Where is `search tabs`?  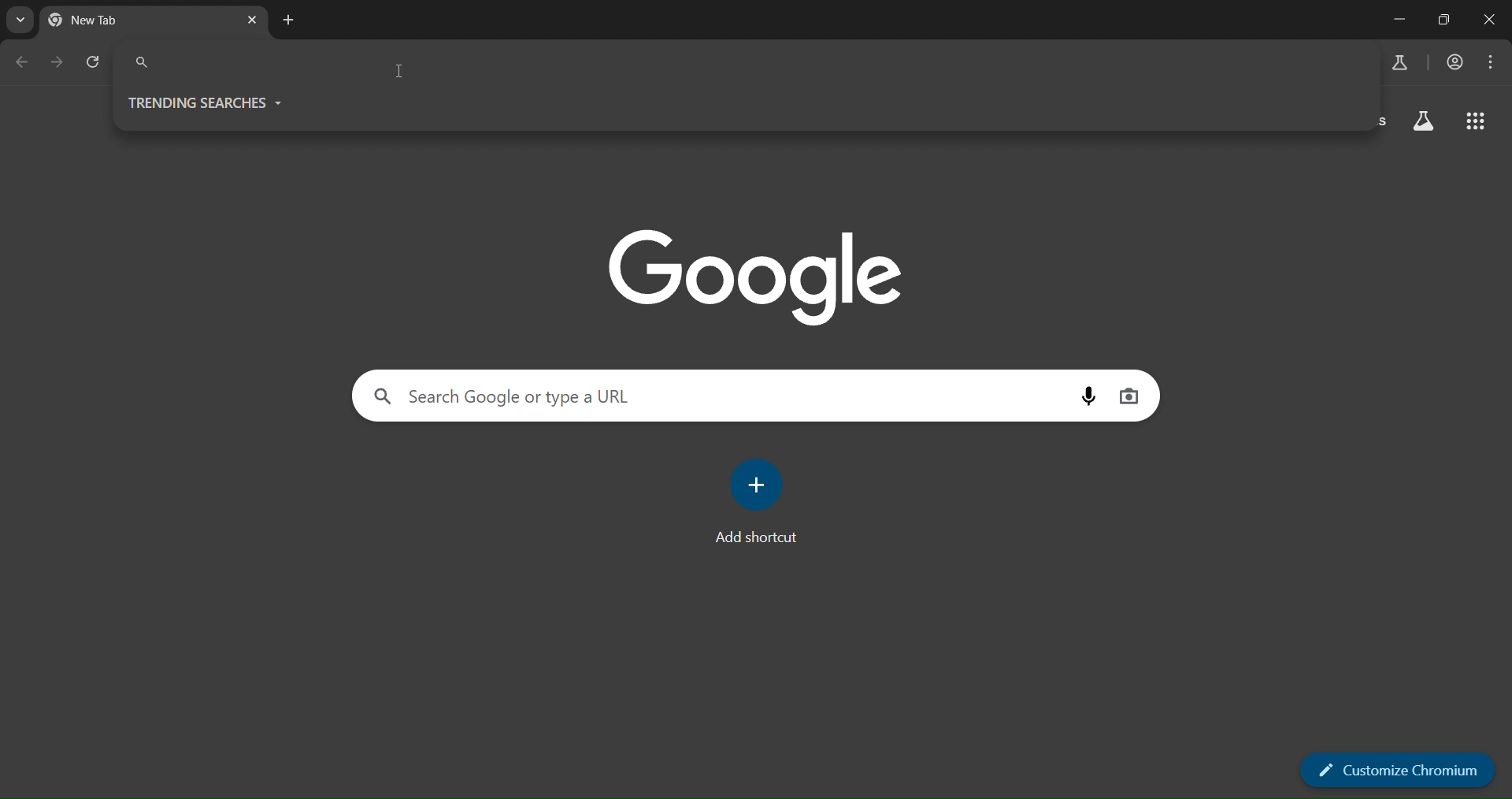
search tabs is located at coordinates (20, 21).